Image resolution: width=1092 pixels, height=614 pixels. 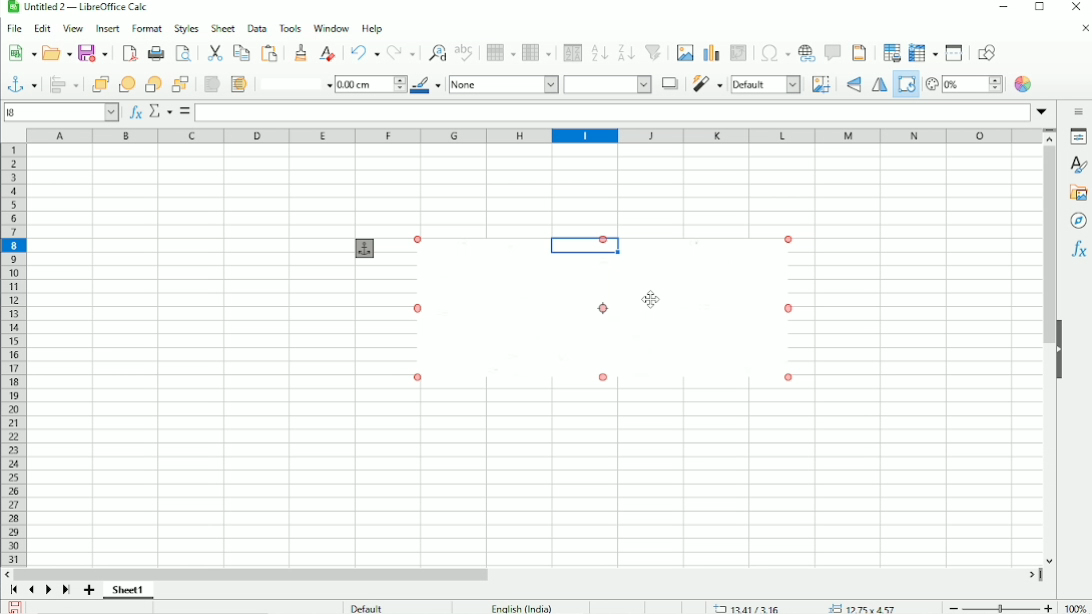 I want to click on Filter, so click(x=707, y=84).